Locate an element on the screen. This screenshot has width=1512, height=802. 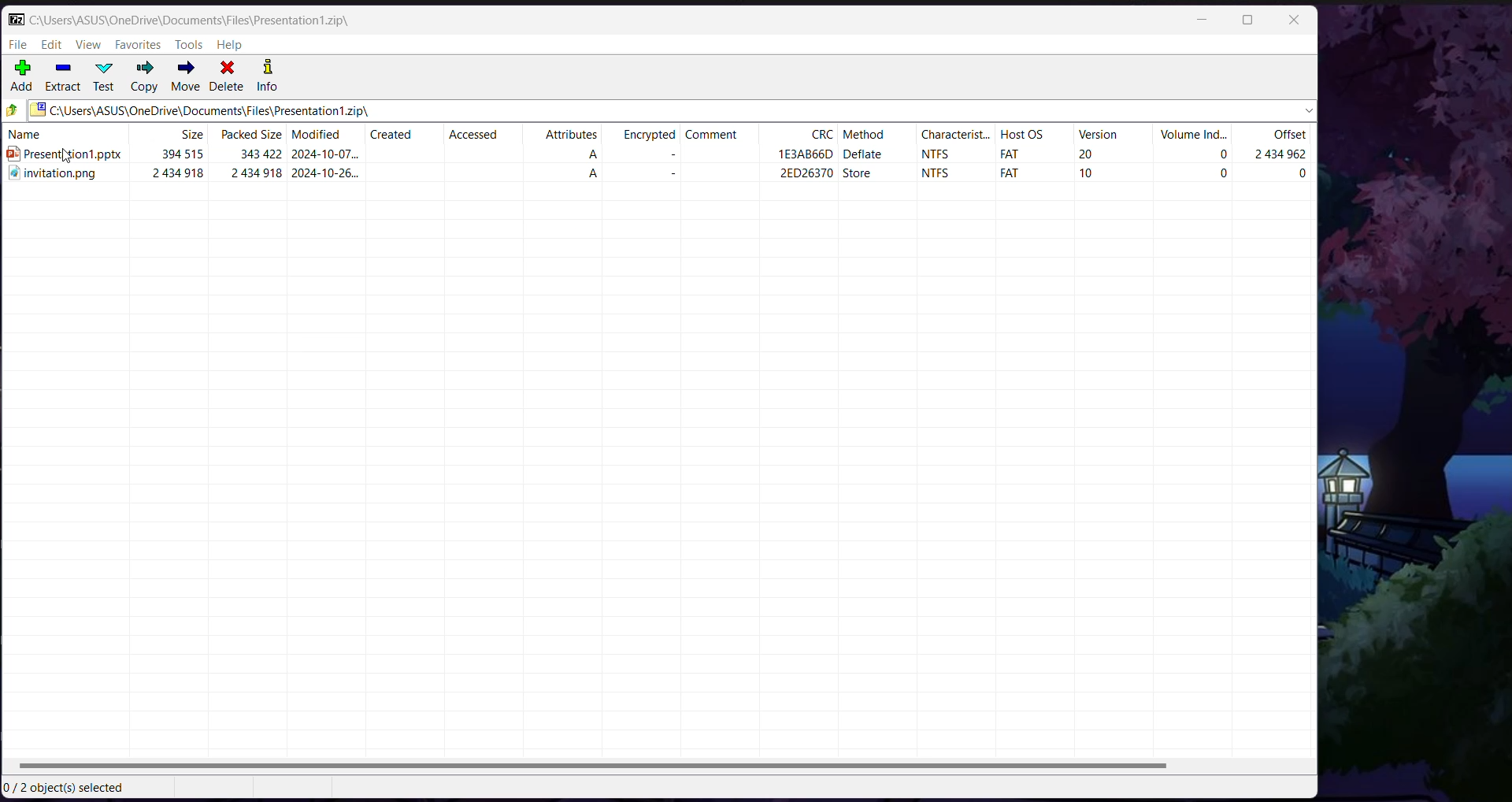
Favorites is located at coordinates (139, 45).